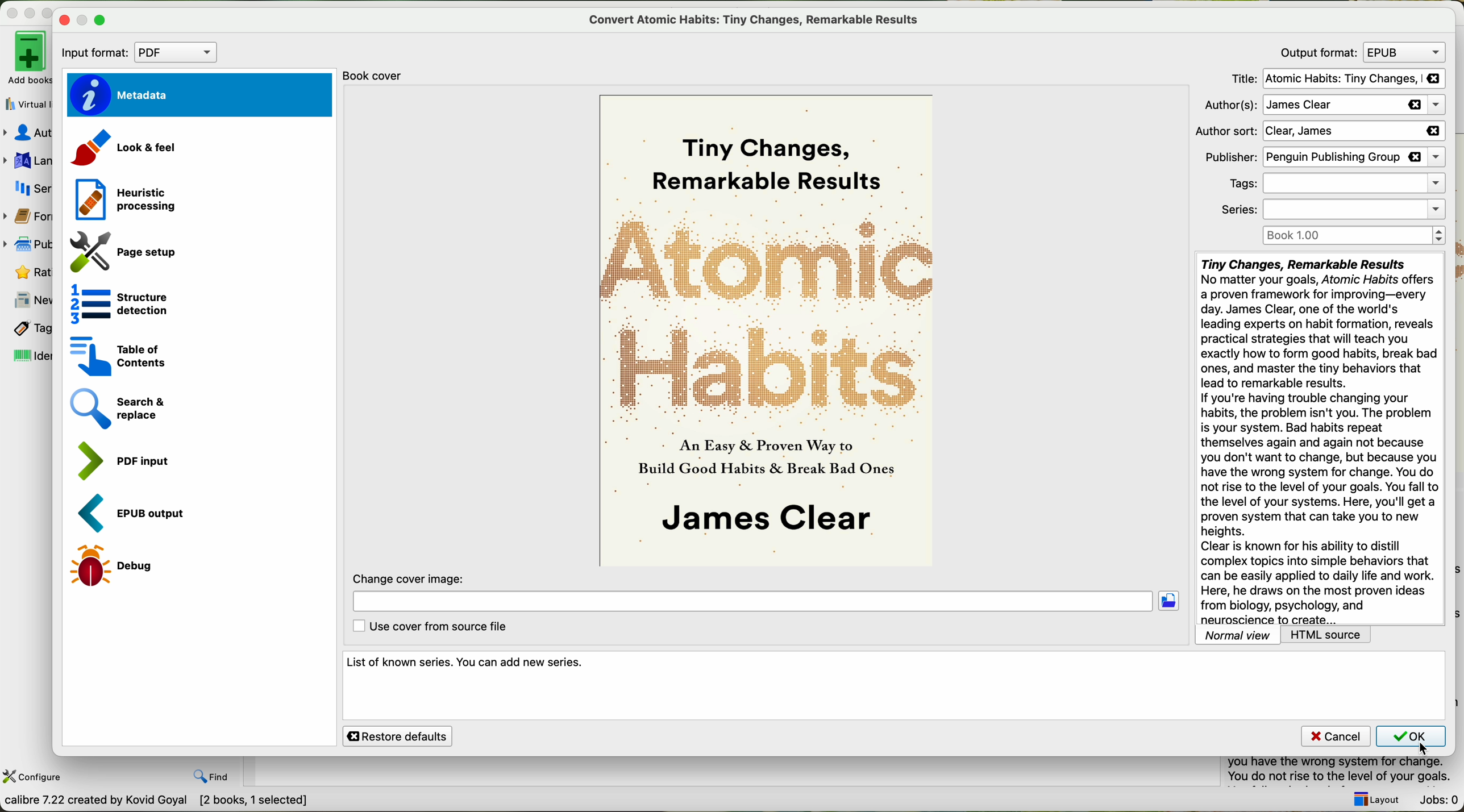 This screenshot has height=812, width=1464. What do you see at coordinates (26, 272) in the screenshot?
I see `rating` at bounding box center [26, 272].